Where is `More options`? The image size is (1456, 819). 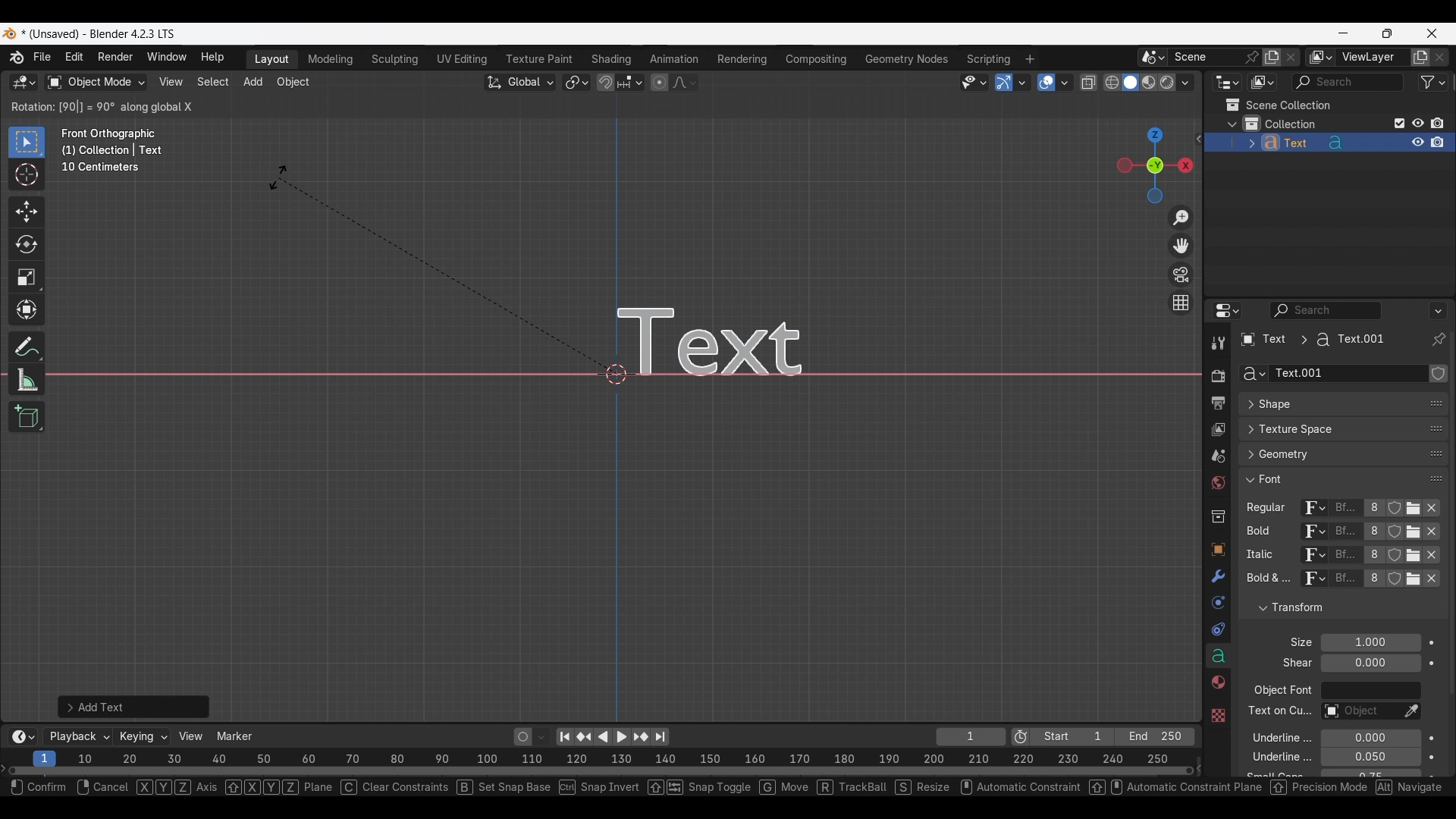 More options is located at coordinates (21, 737).